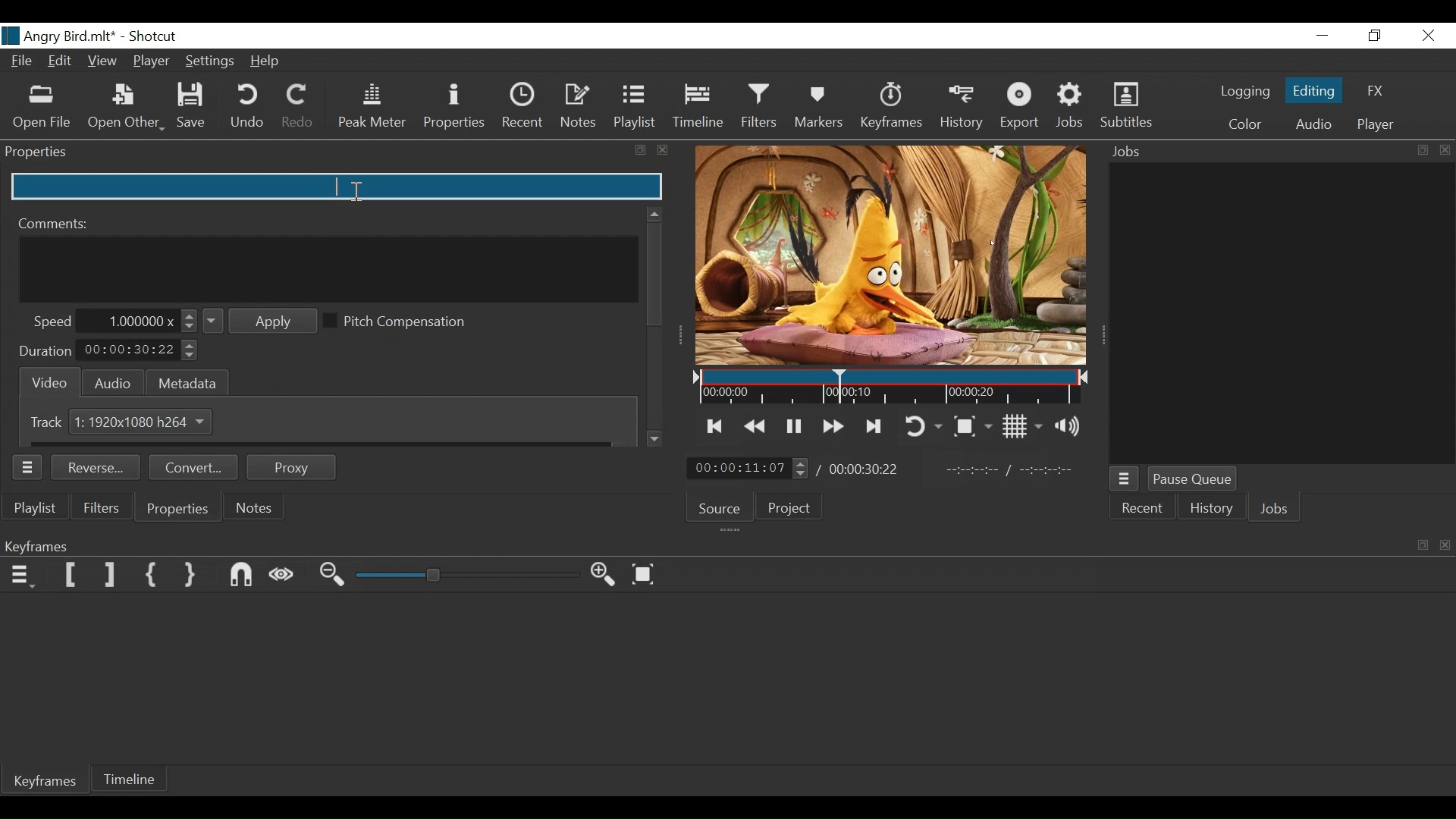 This screenshot has width=1456, height=819. What do you see at coordinates (1376, 35) in the screenshot?
I see `Restore` at bounding box center [1376, 35].